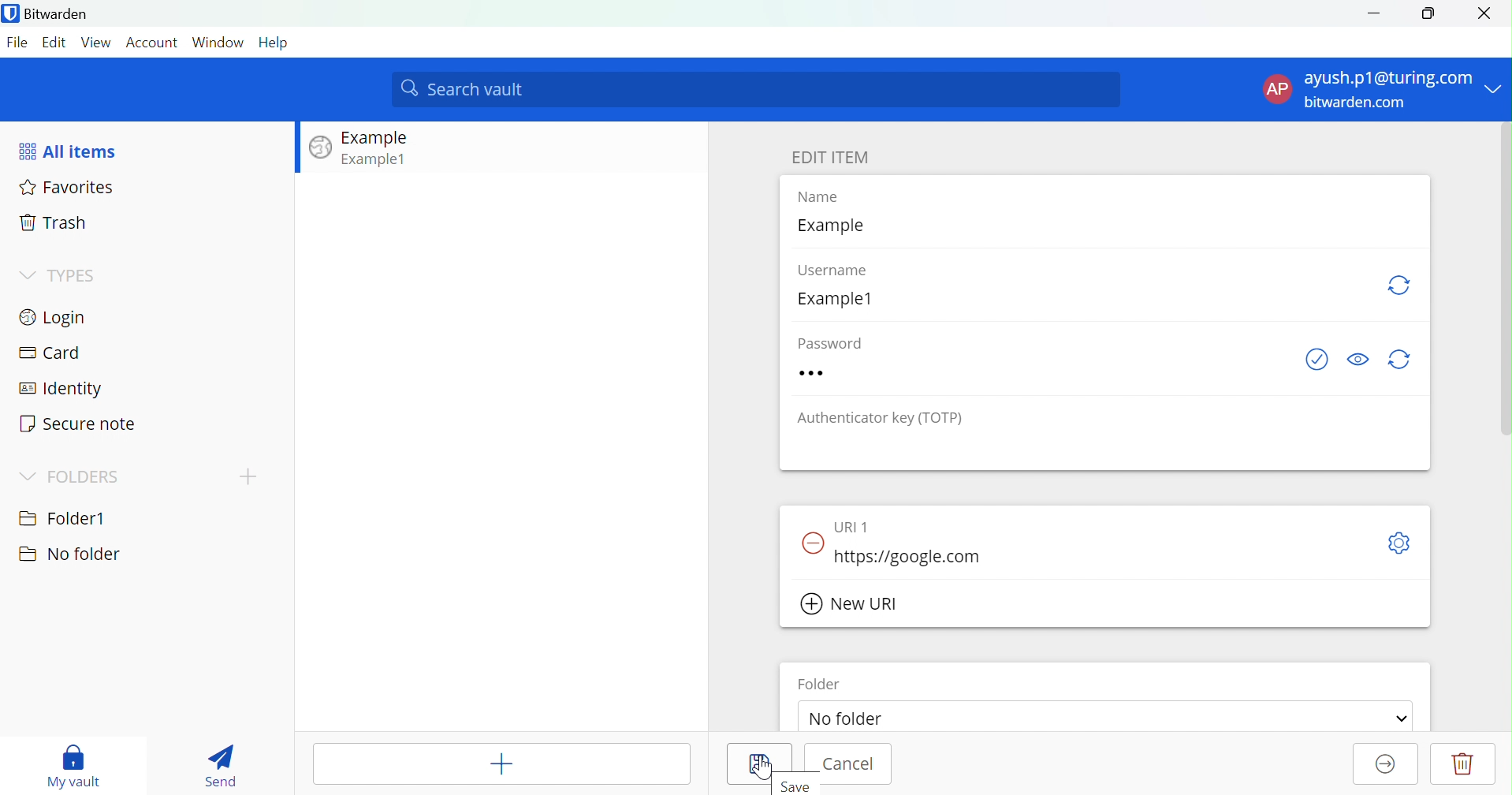  What do you see at coordinates (1277, 90) in the screenshot?
I see `AP` at bounding box center [1277, 90].